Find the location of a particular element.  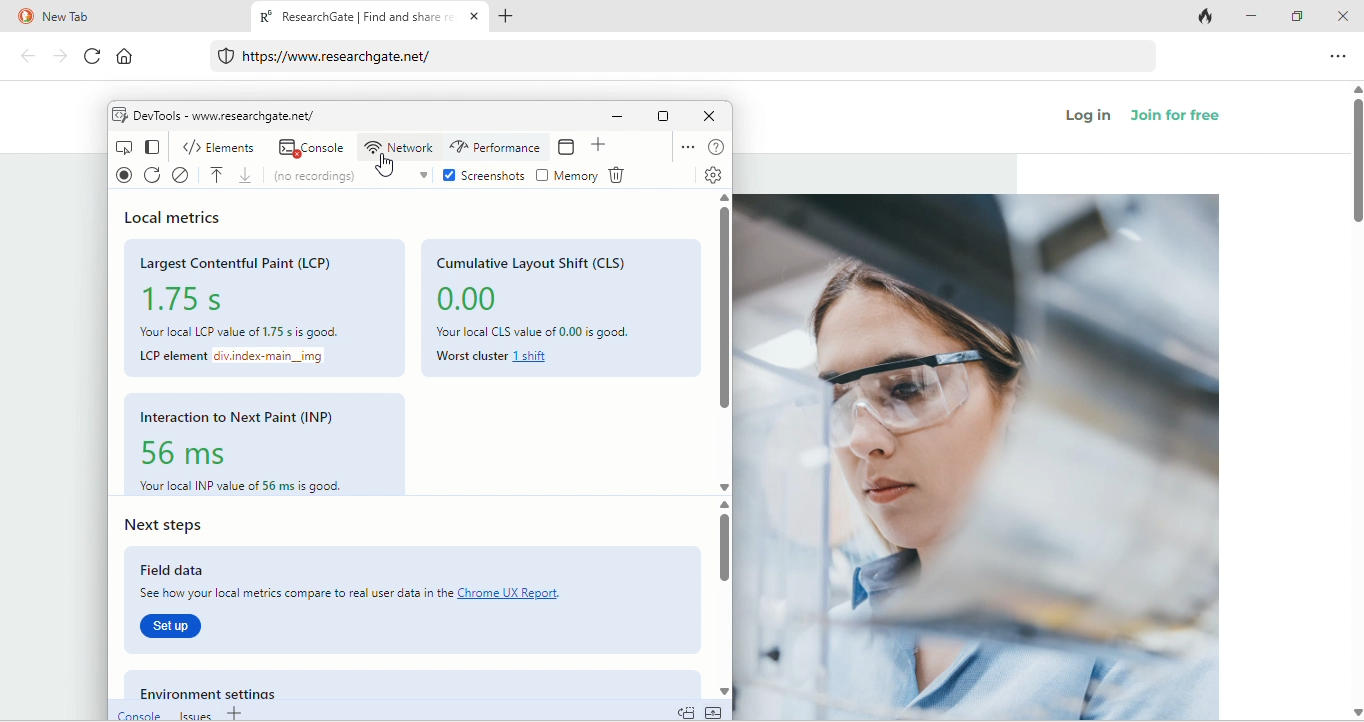

delete is located at coordinates (623, 176).